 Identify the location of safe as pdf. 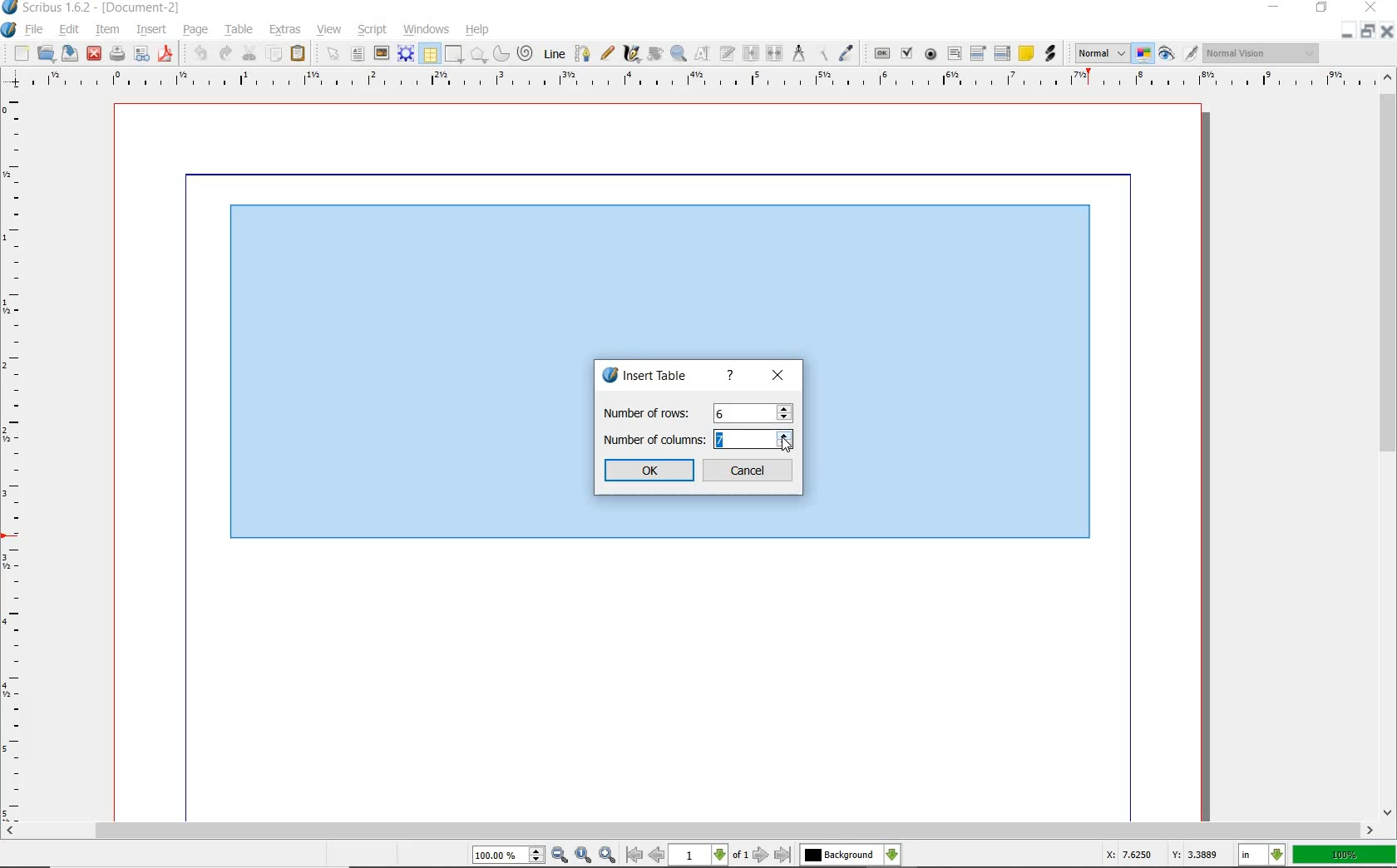
(165, 54).